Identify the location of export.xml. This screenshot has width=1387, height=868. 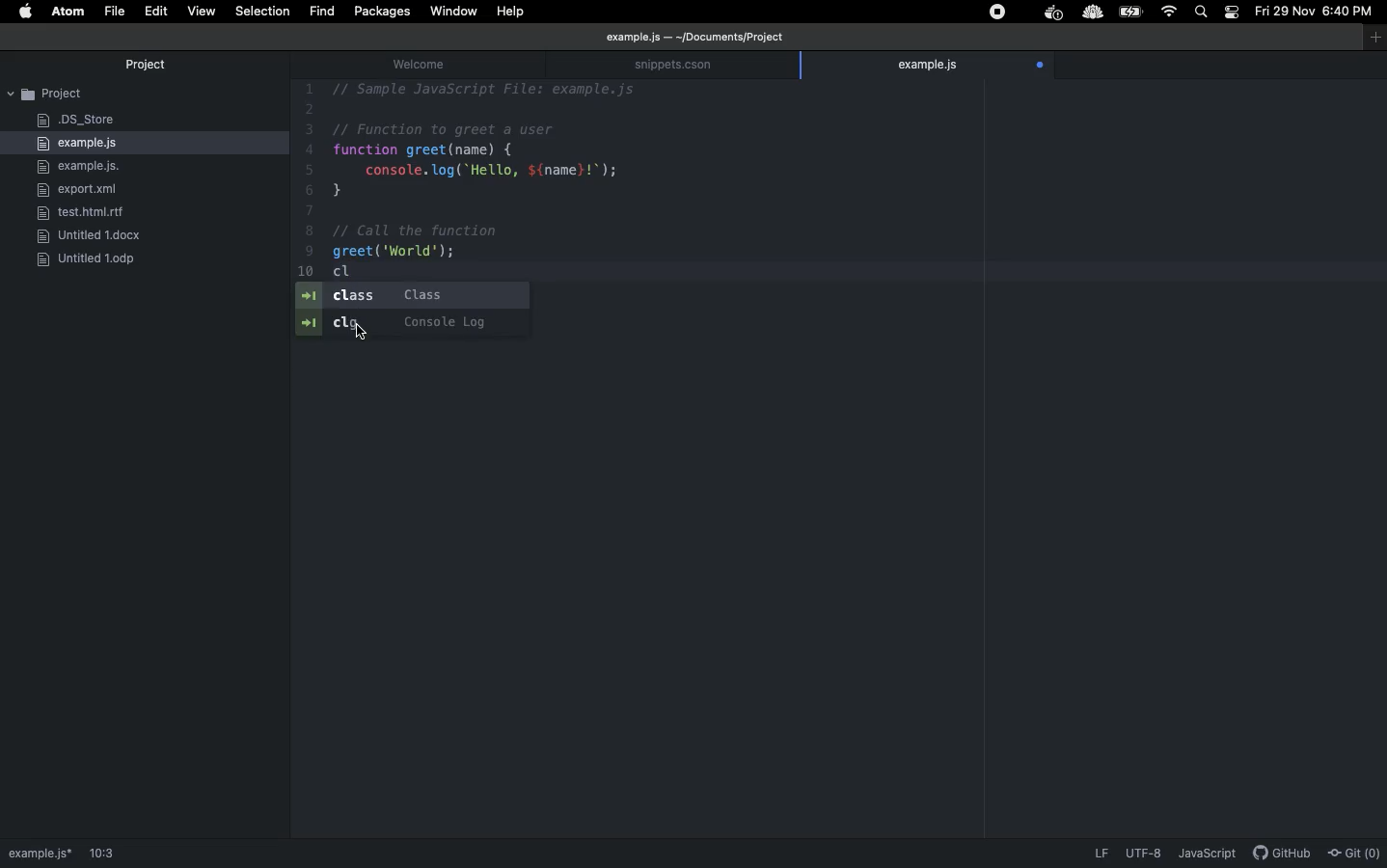
(80, 191).